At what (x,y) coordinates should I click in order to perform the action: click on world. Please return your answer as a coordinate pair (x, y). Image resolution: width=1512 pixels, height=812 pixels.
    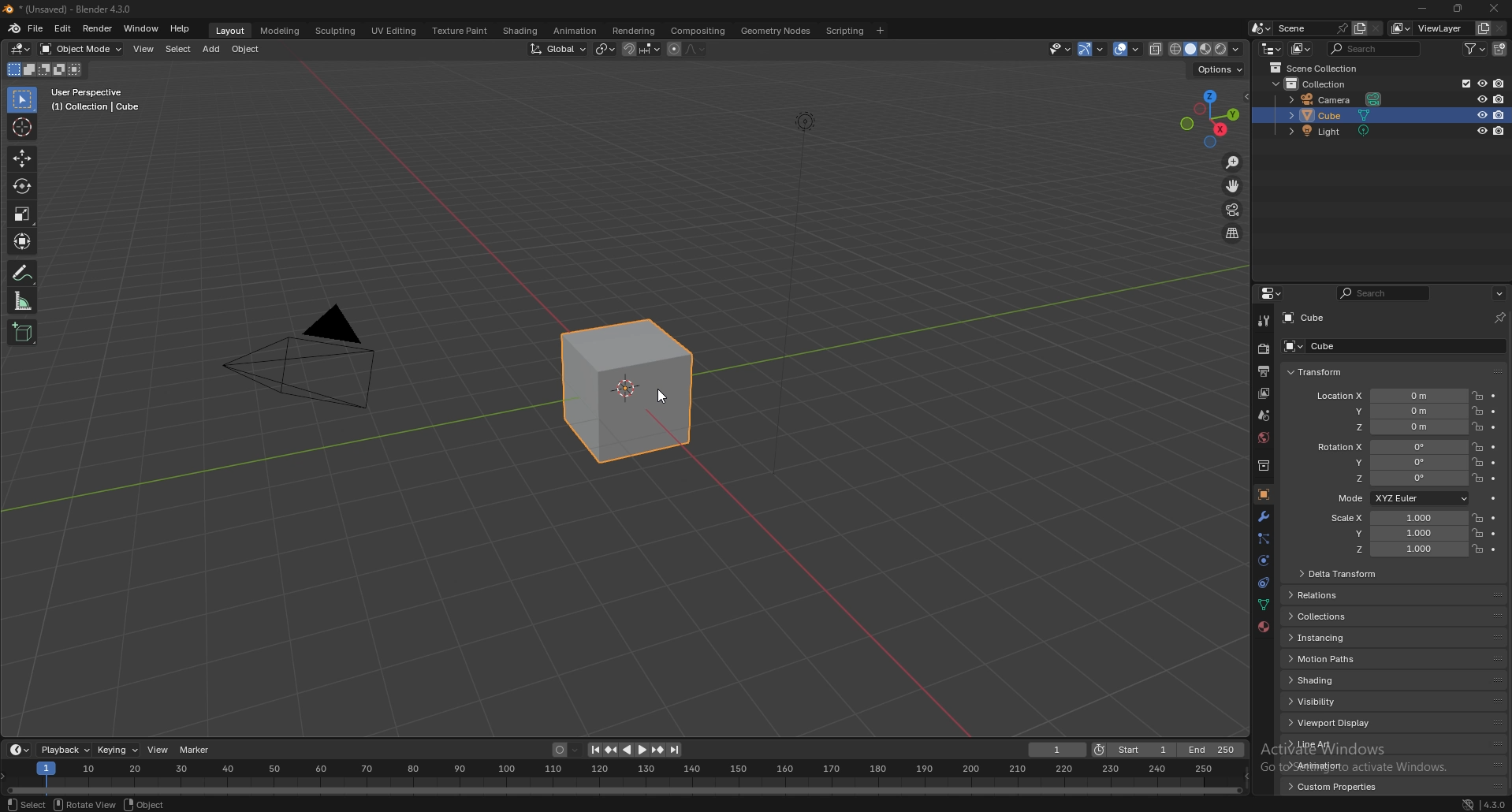
    Looking at the image, I should click on (1264, 438).